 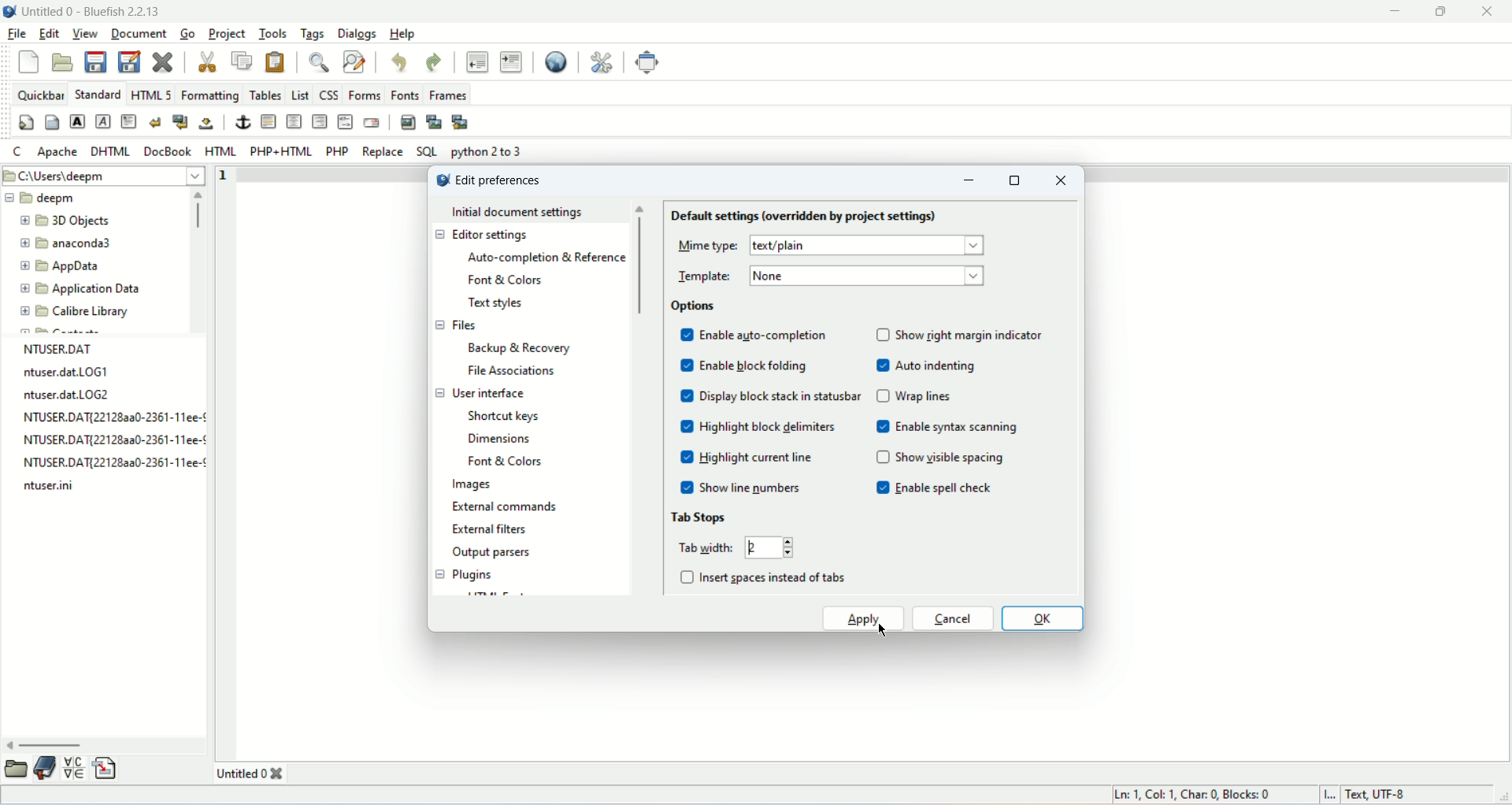 I want to click on font and colors, so click(x=506, y=463).